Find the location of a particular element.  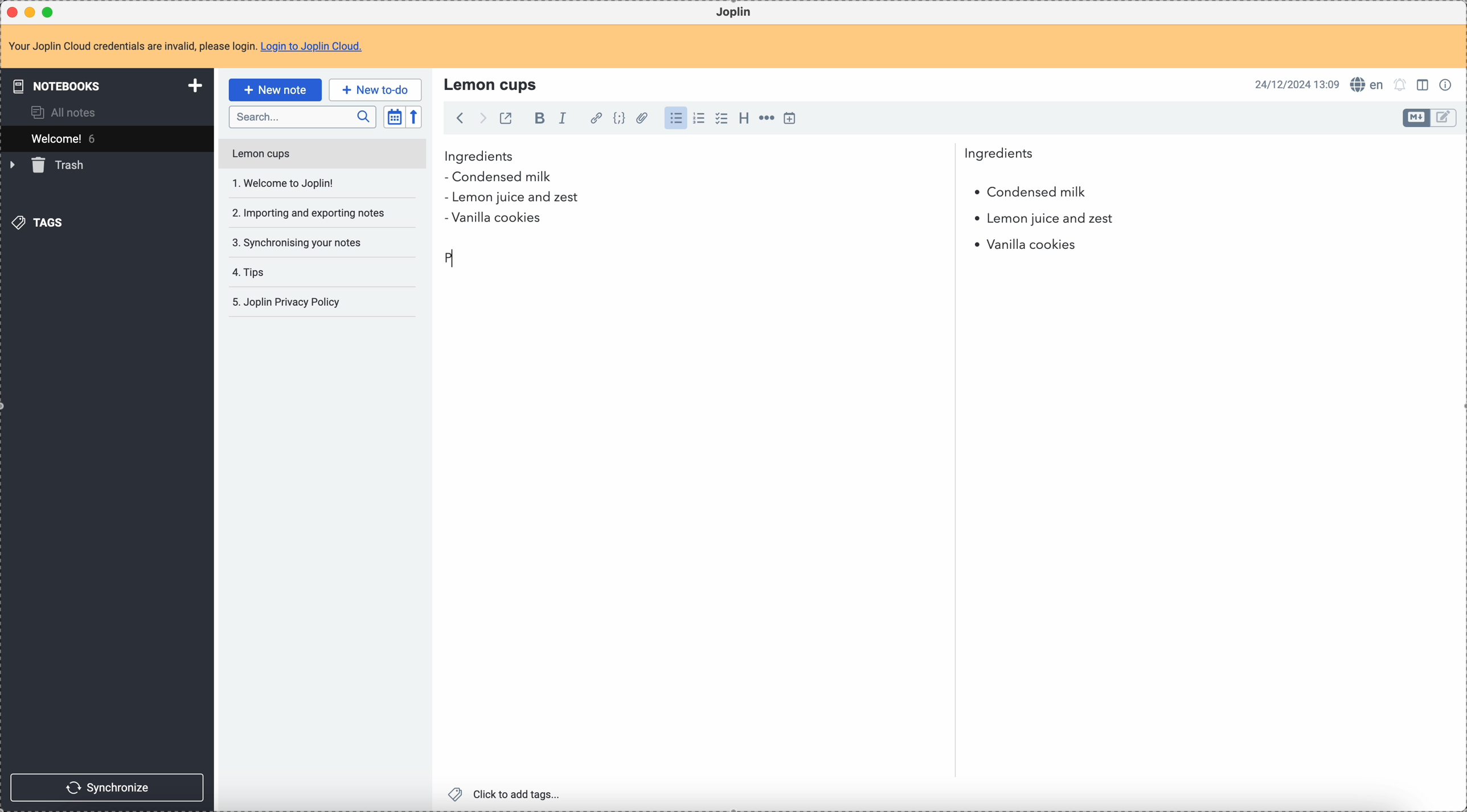

all notes is located at coordinates (67, 112).